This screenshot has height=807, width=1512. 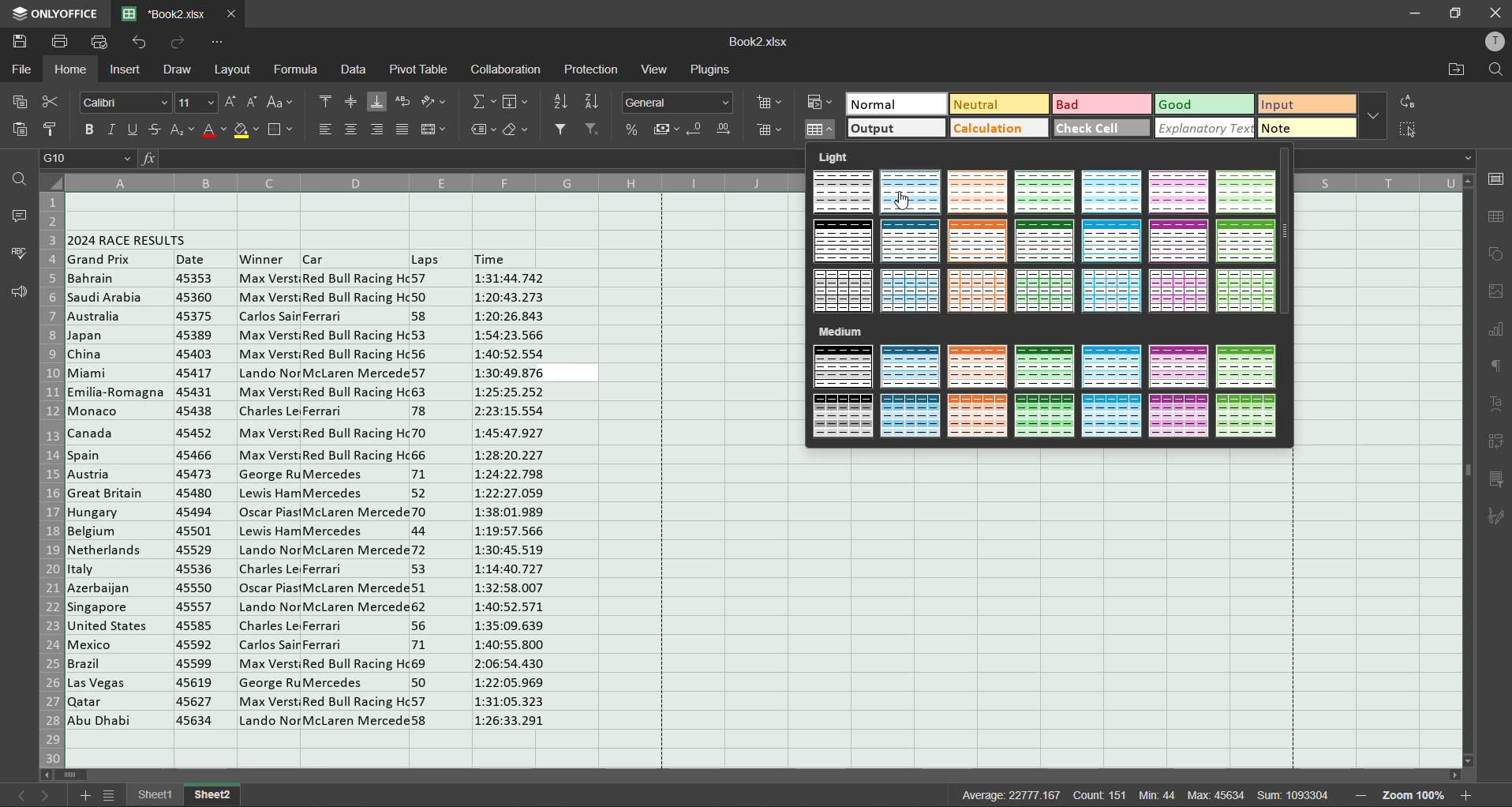 What do you see at coordinates (1100, 129) in the screenshot?
I see `check cell` at bounding box center [1100, 129].